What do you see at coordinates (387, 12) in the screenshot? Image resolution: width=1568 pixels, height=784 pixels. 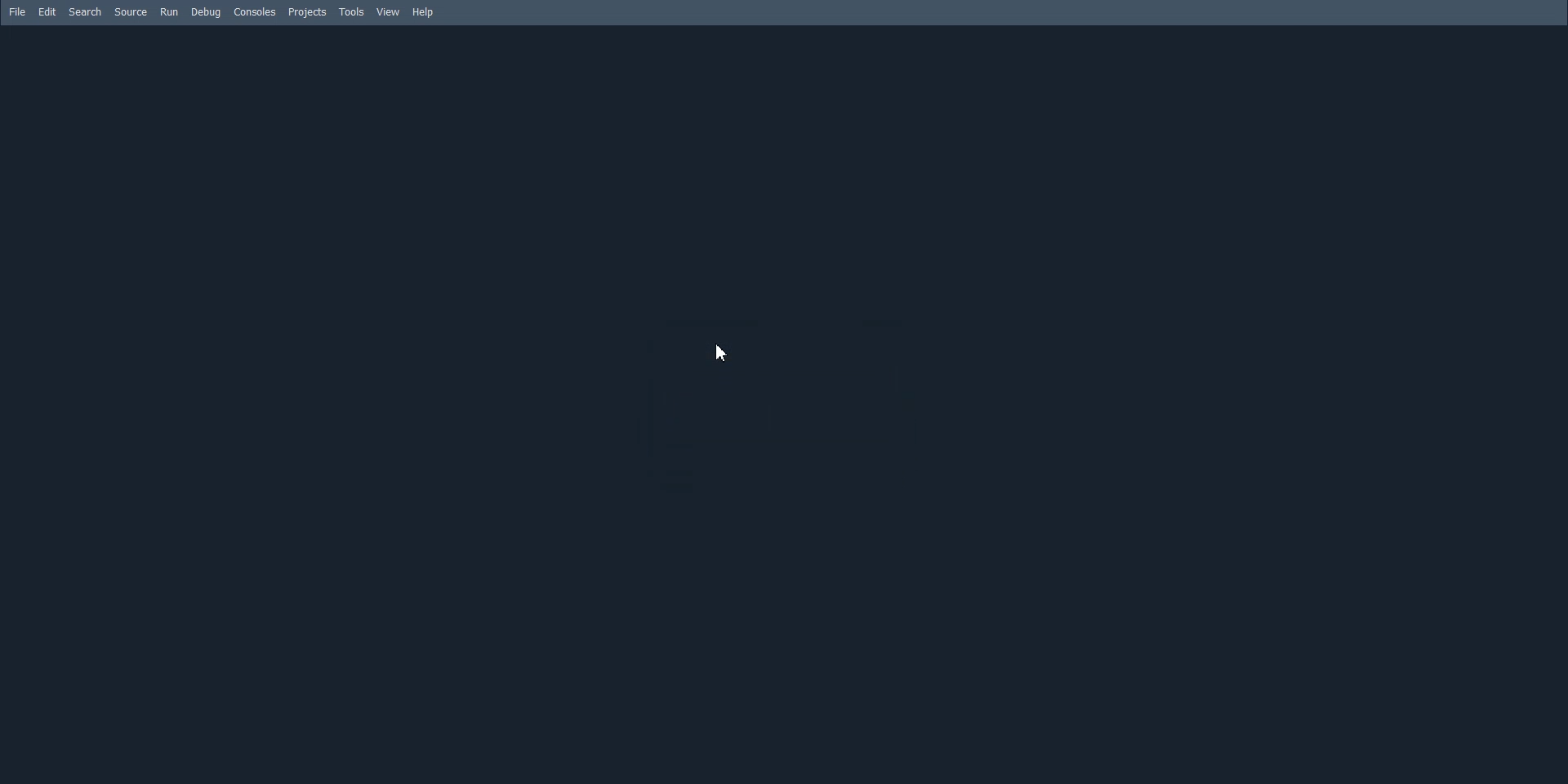 I see `View` at bounding box center [387, 12].